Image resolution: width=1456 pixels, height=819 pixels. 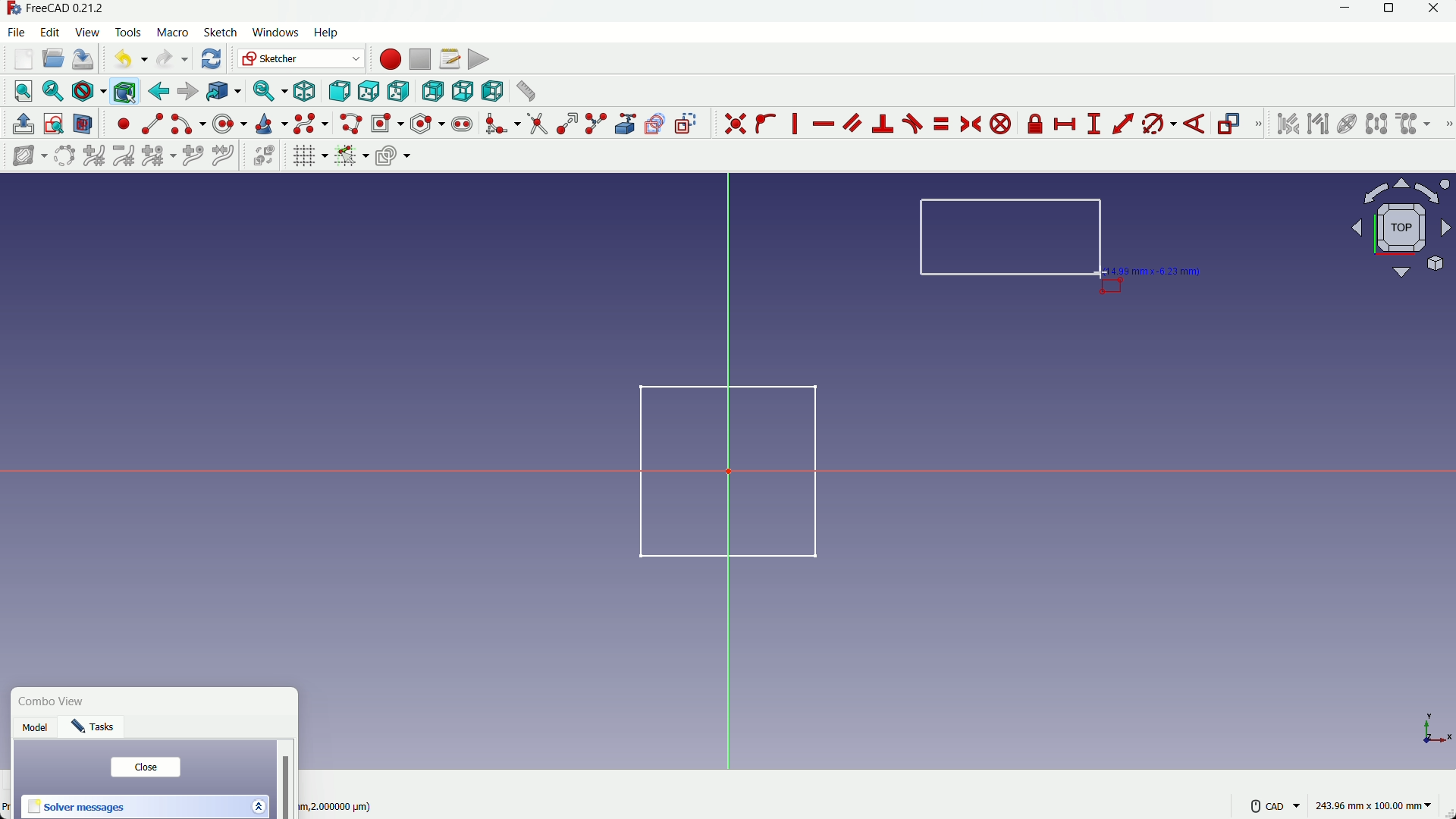 I want to click on sketch, so click(x=717, y=469).